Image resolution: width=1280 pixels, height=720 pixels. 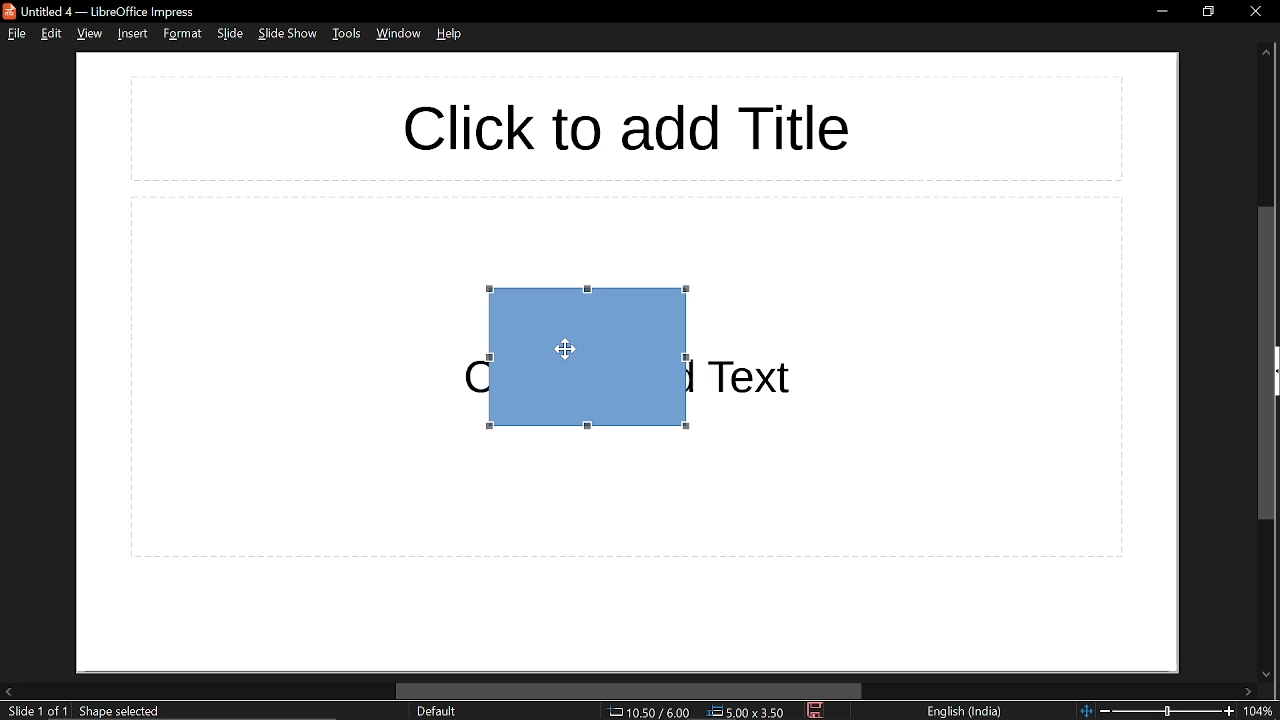 What do you see at coordinates (1269, 363) in the screenshot?
I see `vertical scrollbar` at bounding box center [1269, 363].